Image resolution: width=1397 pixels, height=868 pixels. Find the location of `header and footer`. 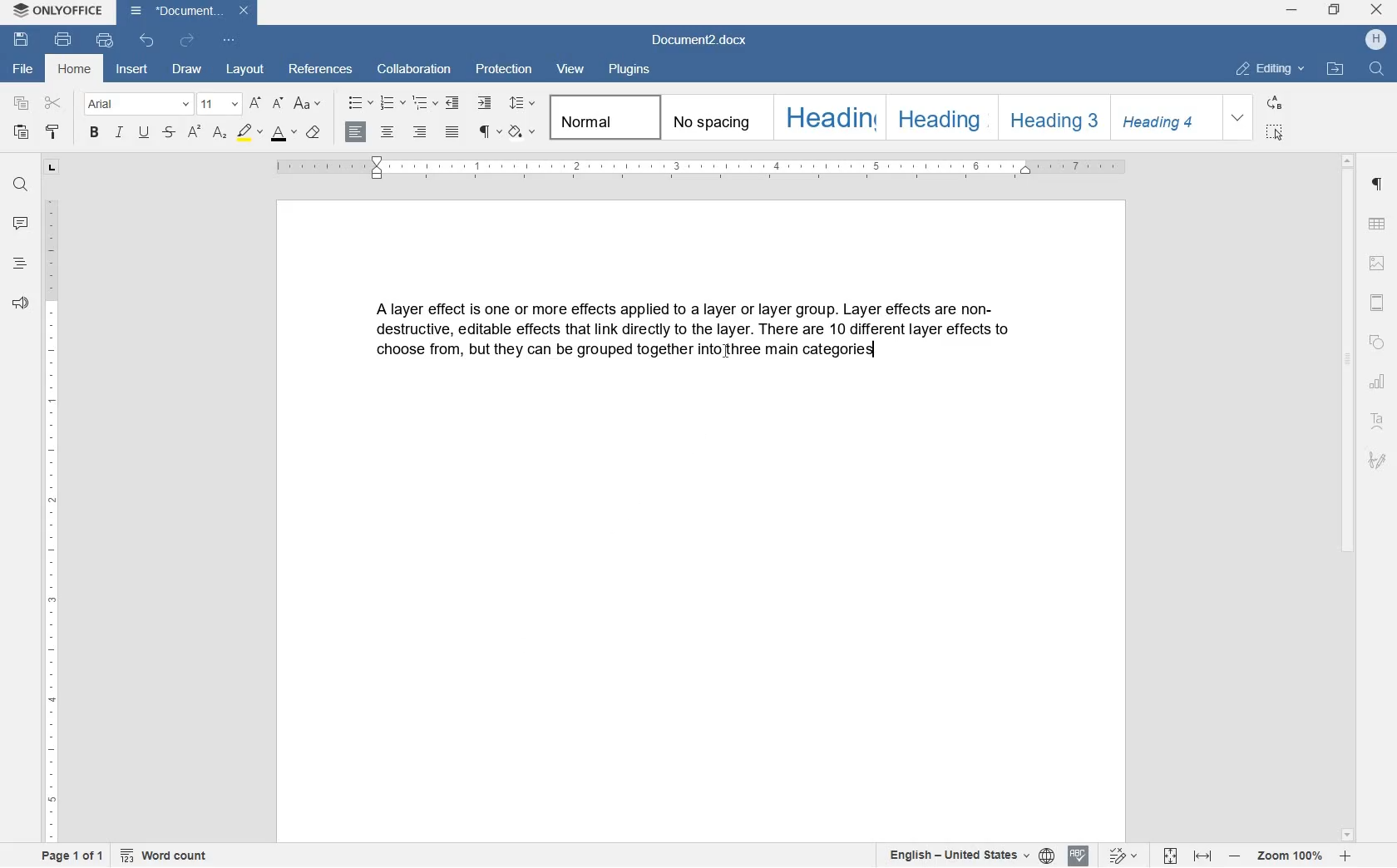

header and footer is located at coordinates (1379, 303).